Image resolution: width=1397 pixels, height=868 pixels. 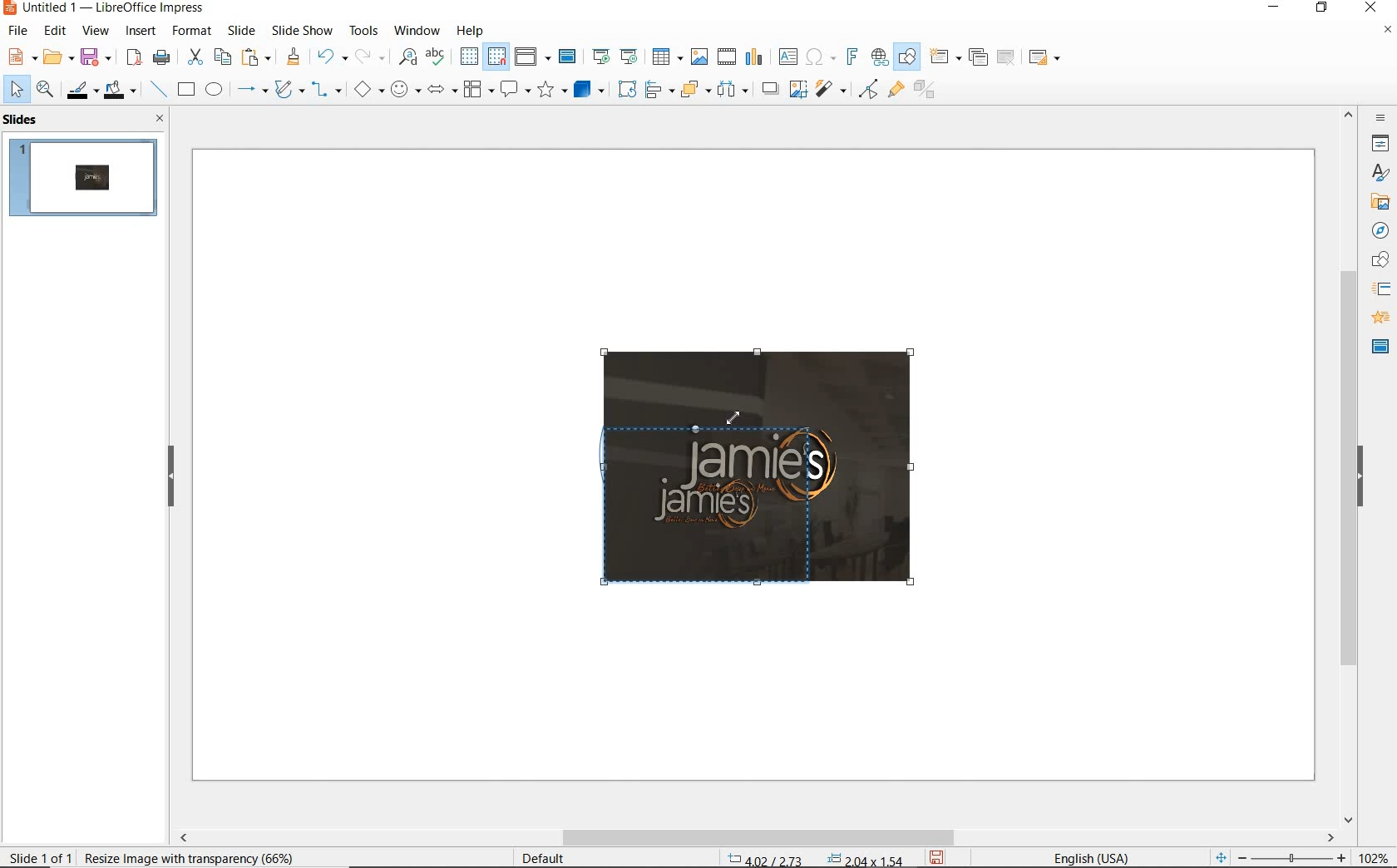 What do you see at coordinates (42, 854) in the screenshot?
I see `slide 1 of 1` at bounding box center [42, 854].